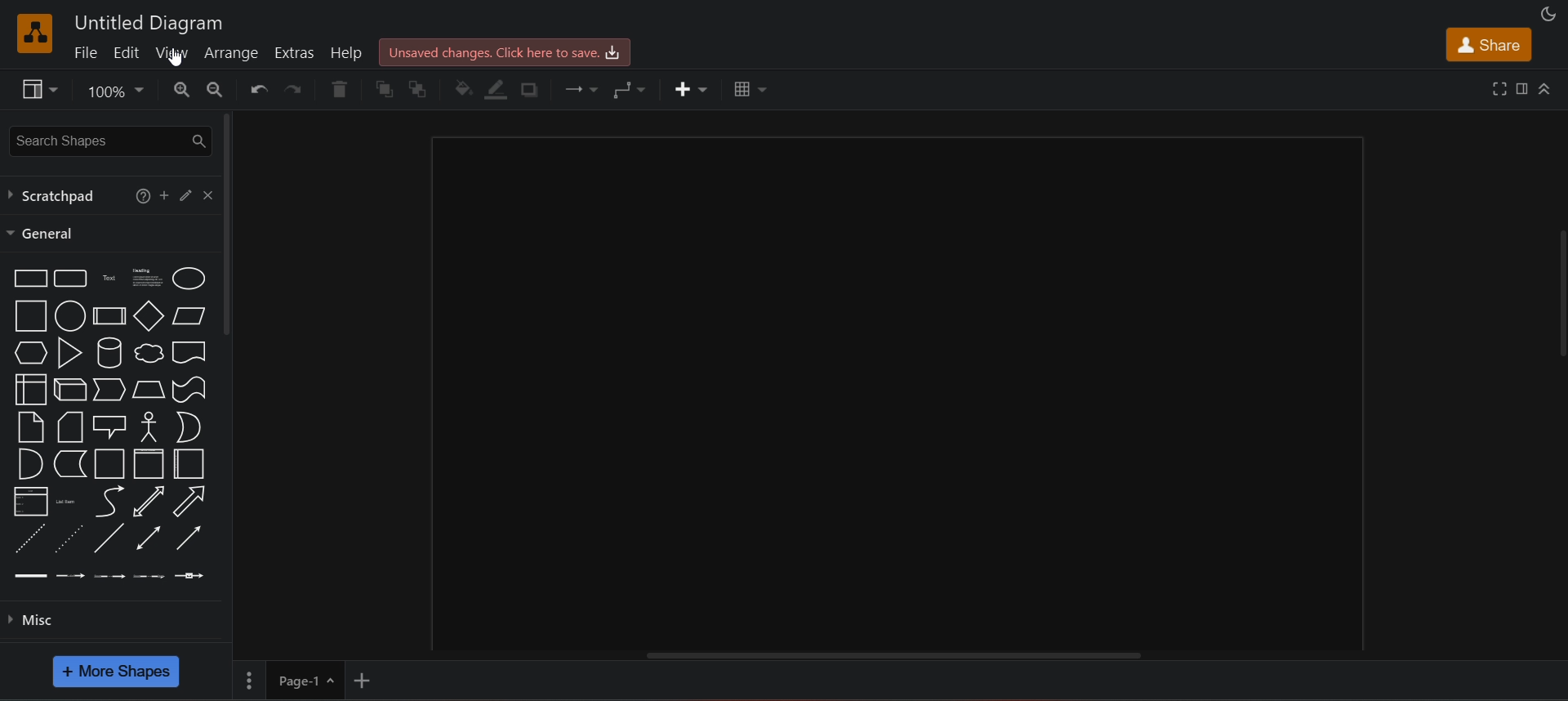 The width and height of the screenshot is (1568, 701). Describe the element at coordinates (258, 89) in the screenshot. I see `undo` at that location.